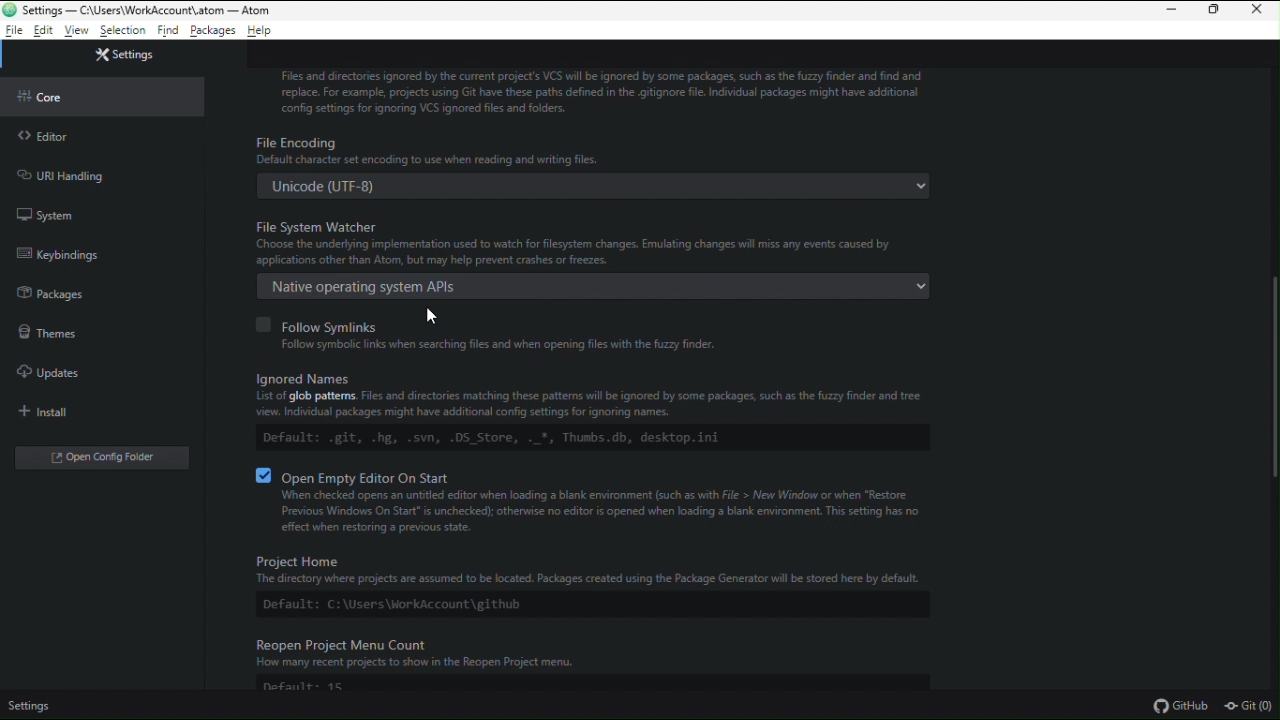 The image size is (1280, 720). Describe the element at coordinates (1216, 12) in the screenshot. I see `Restore` at that location.